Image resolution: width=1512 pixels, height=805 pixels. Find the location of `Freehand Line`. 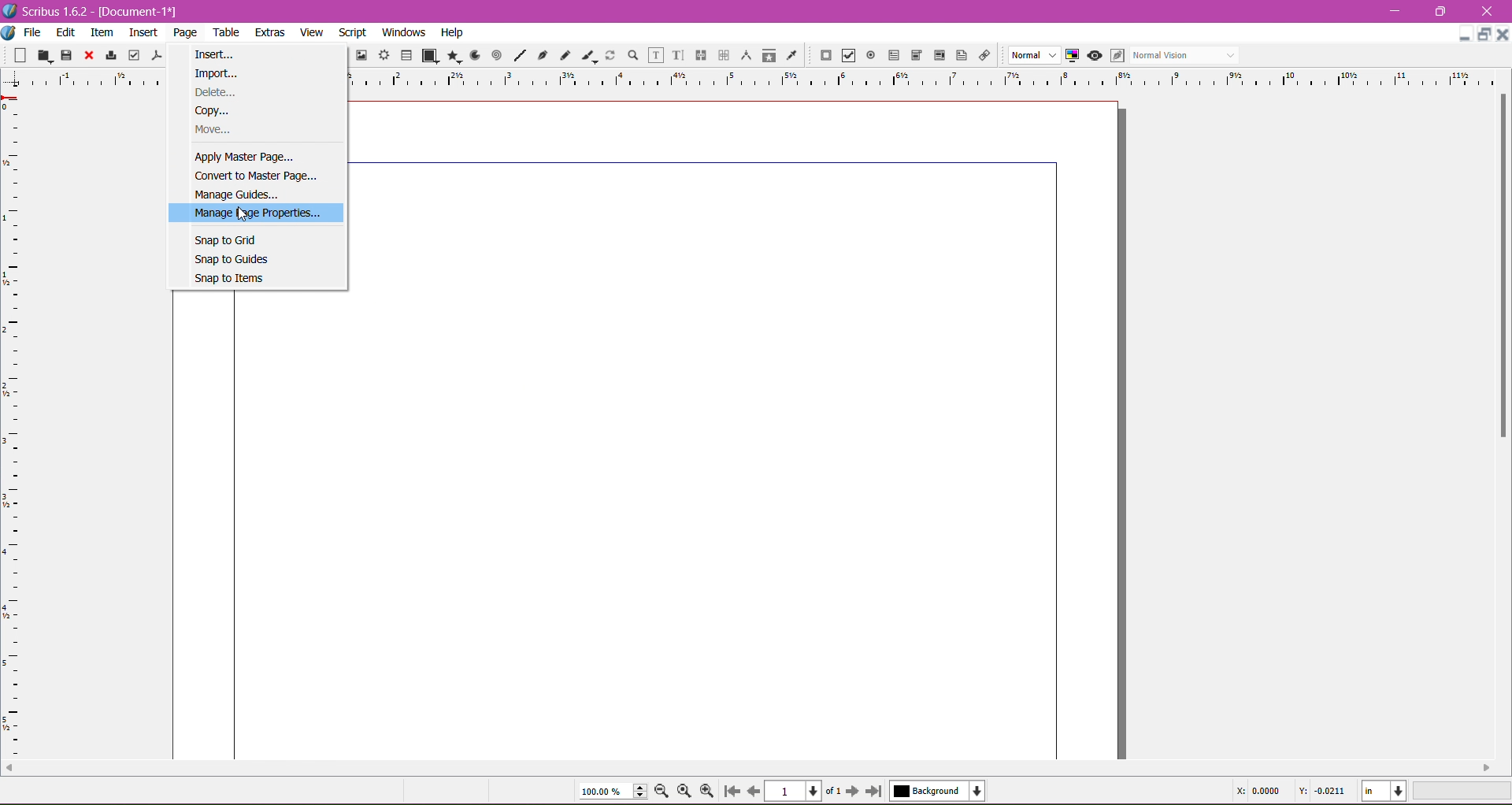

Freehand Line is located at coordinates (565, 55).